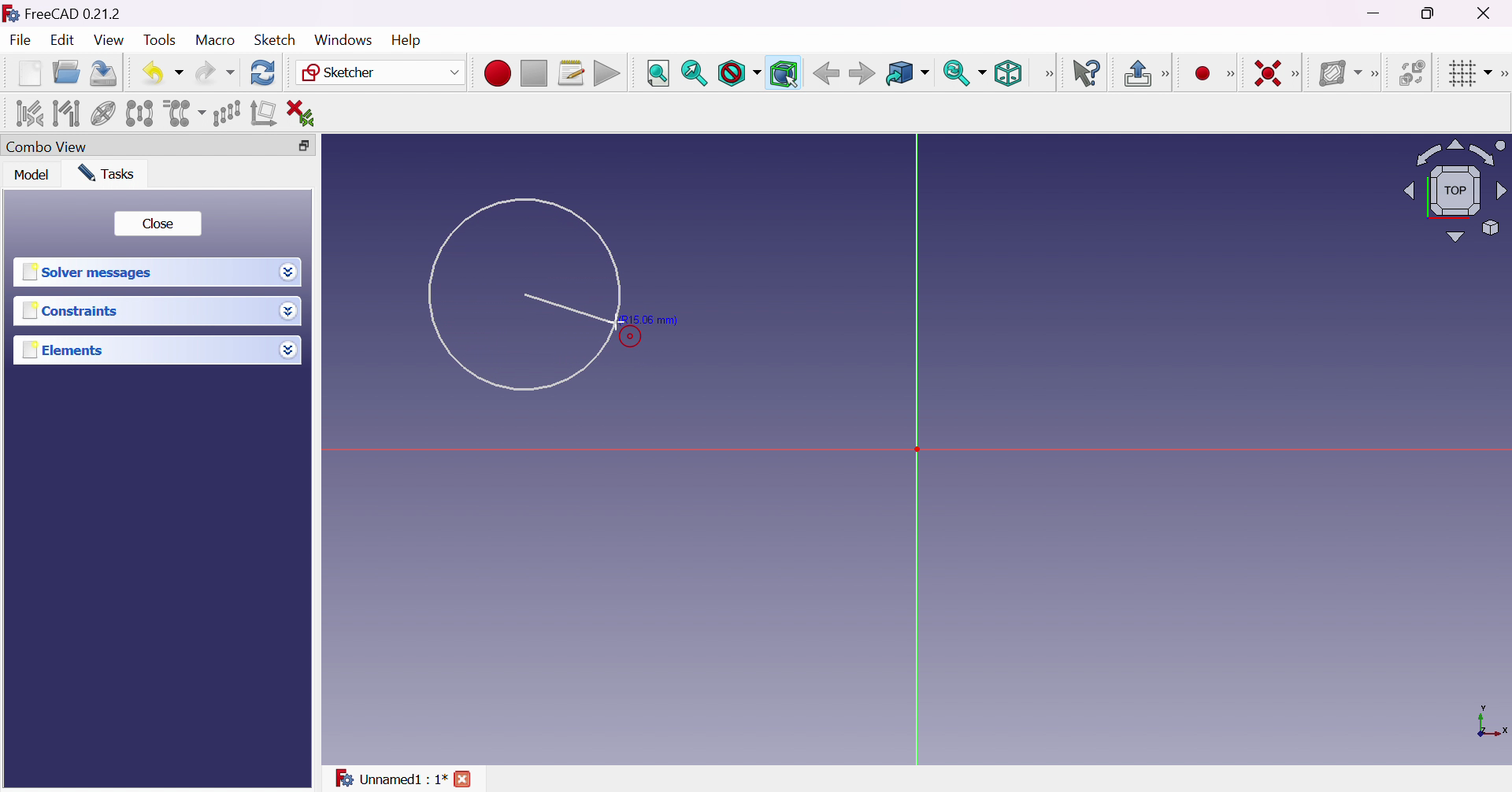  Describe the element at coordinates (1430, 13) in the screenshot. I see `Restore down` at that location.